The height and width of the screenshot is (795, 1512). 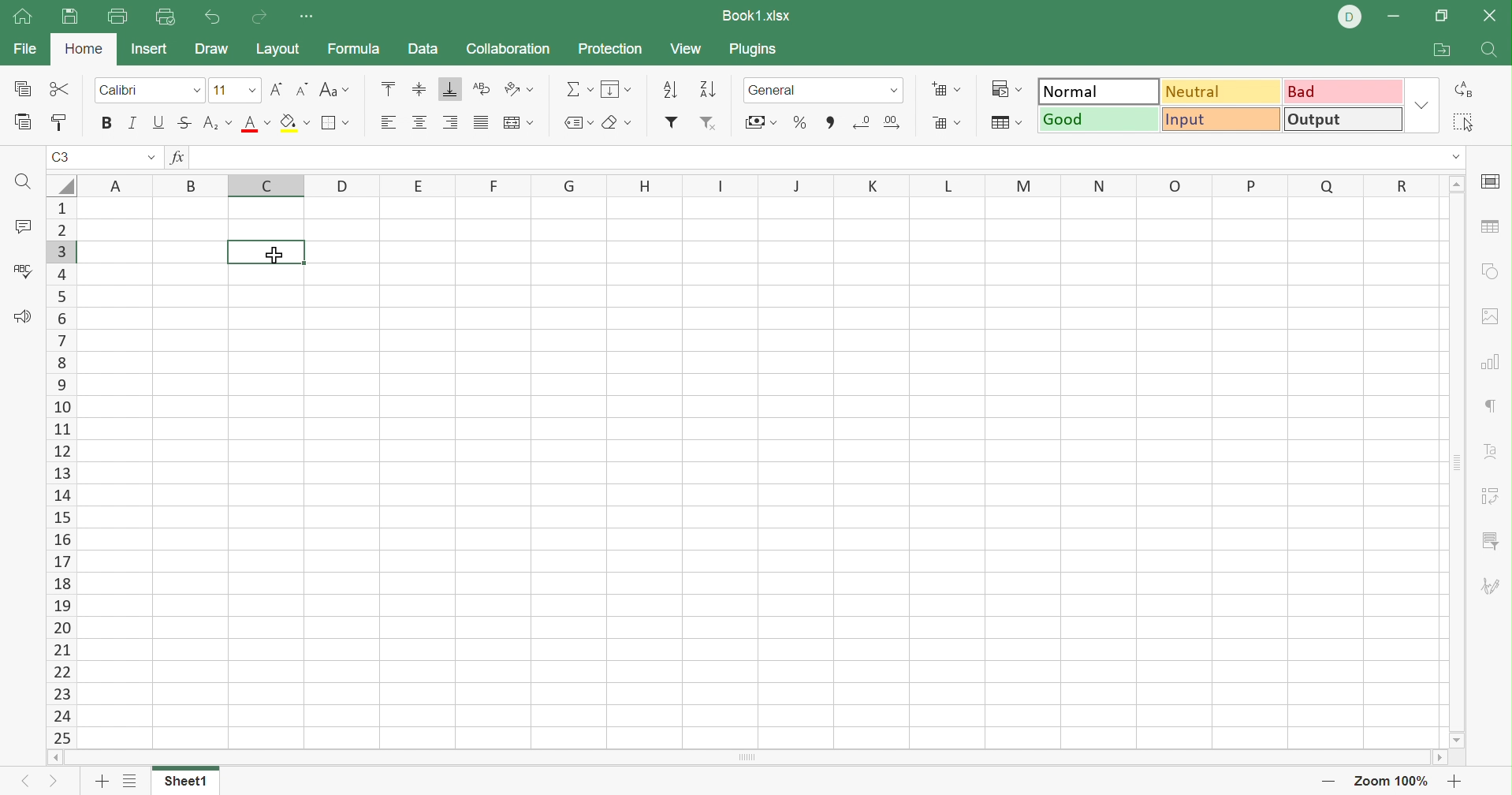 What do you see at coordinates (617, 123) in the screenshot?
I see `Clear` at bounding box center [617, 123].